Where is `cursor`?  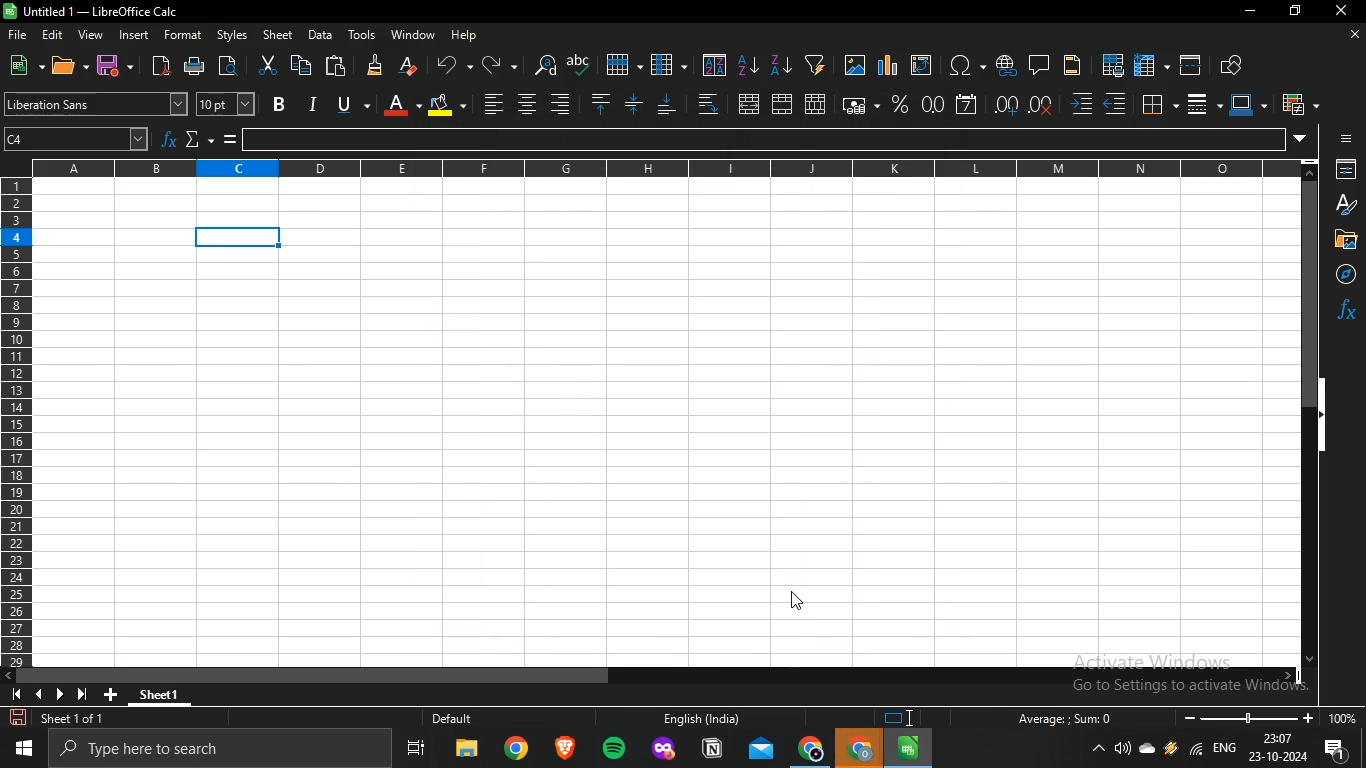
cursor is located at coordinates (802, 600).